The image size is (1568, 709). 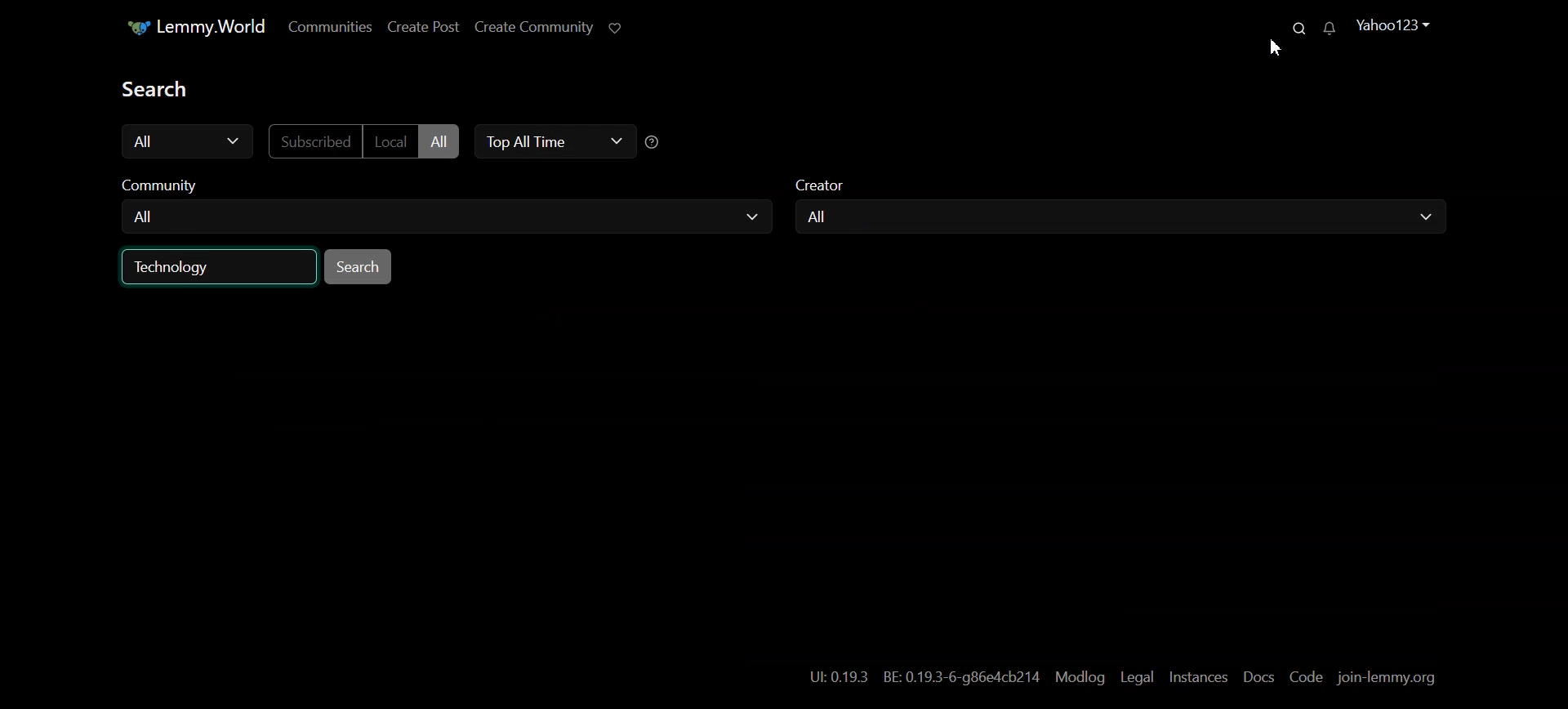 What do you see at coordinates (445, 216) in the screenshot?
I see `All` at bounding box center [445, 216].